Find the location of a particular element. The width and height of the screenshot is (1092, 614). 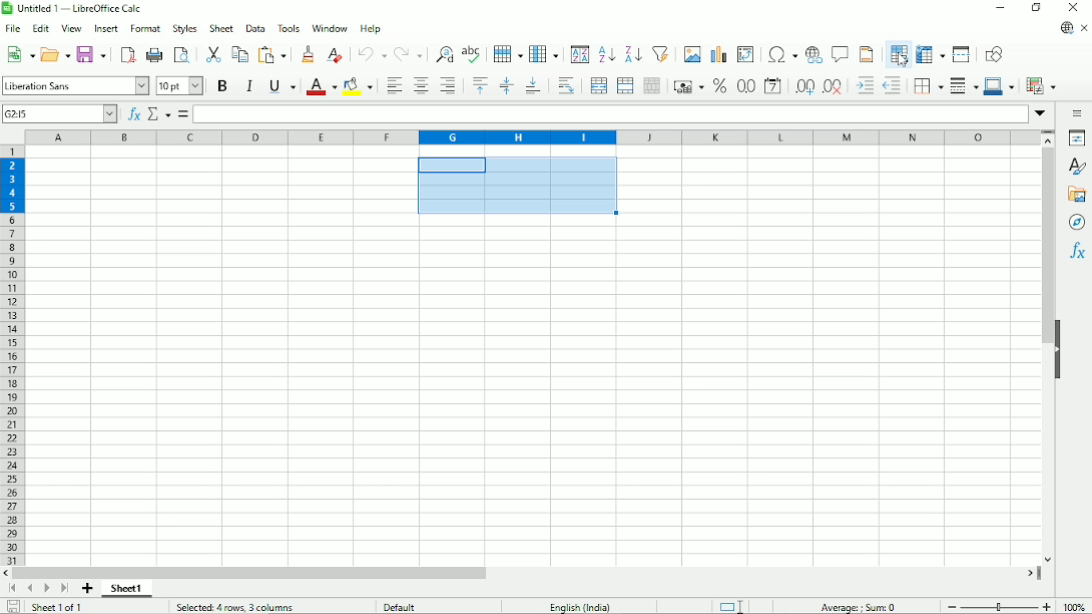

Gallery is located at coordinates (1077, 195).